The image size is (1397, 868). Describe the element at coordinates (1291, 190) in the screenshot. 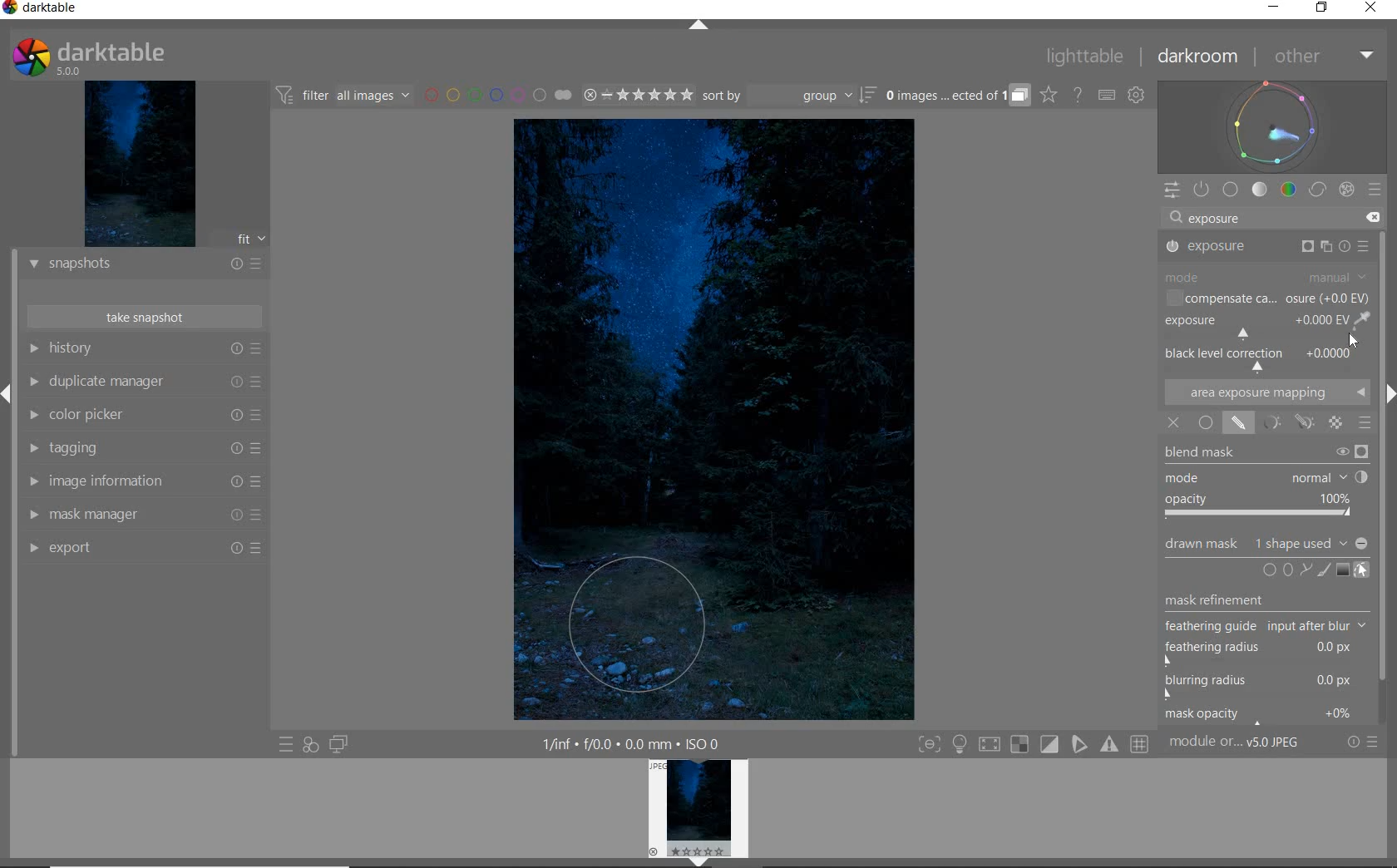

I see `COLOR` at that location.